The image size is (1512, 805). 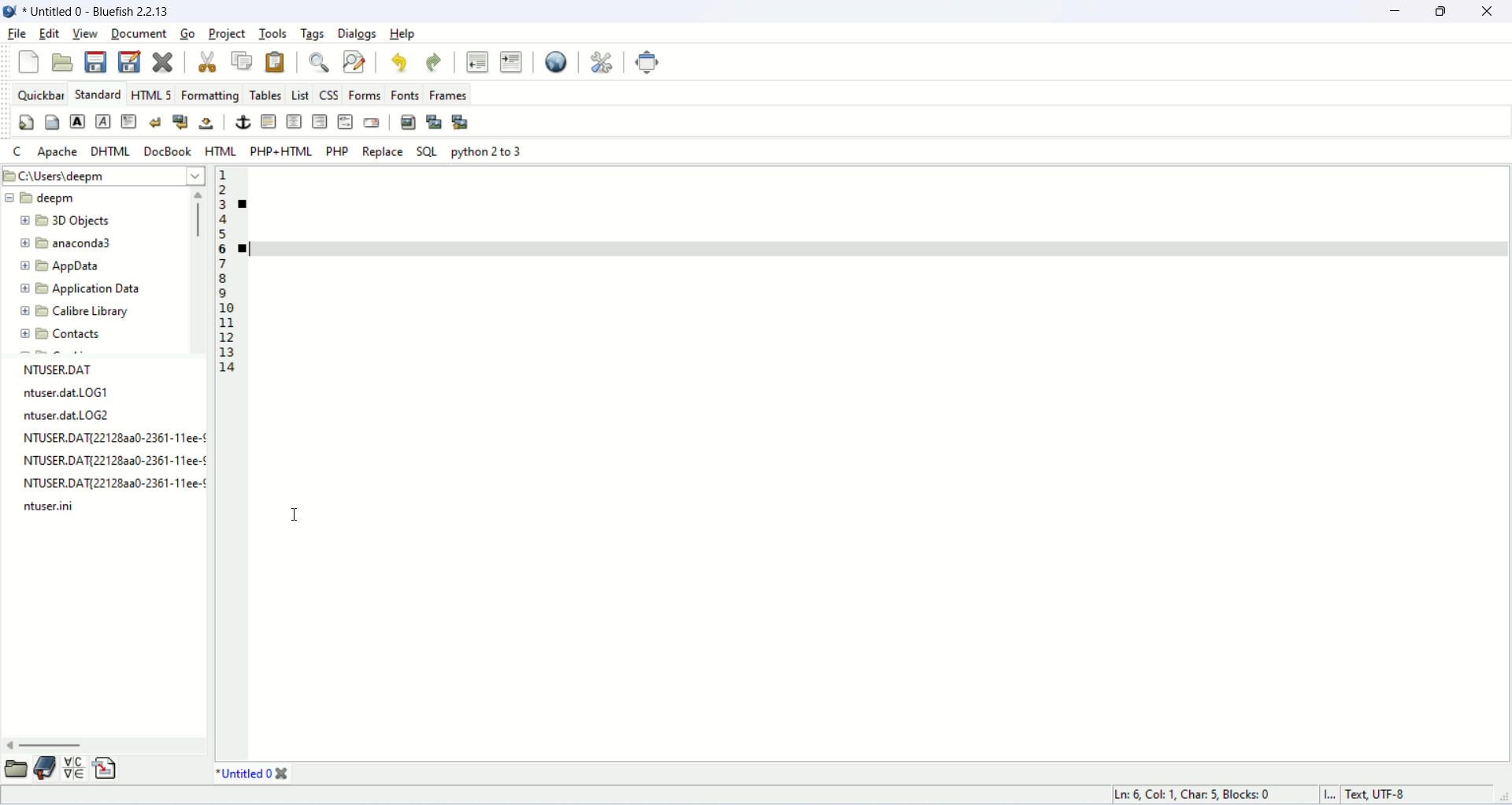 I want to click on line number, so click(x=224, y=270).